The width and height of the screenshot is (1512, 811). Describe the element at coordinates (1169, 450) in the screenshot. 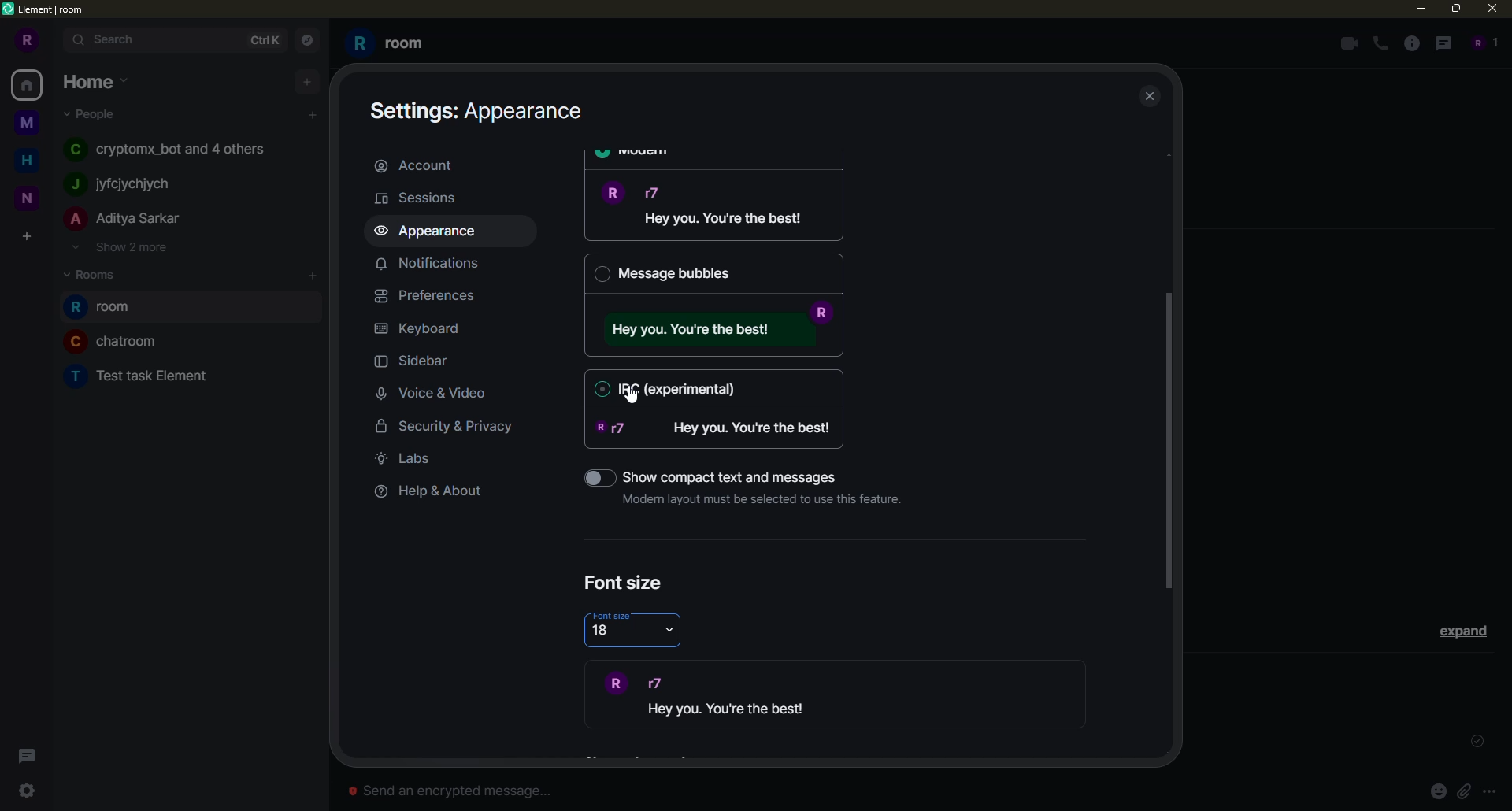

I see `drag` at that location.